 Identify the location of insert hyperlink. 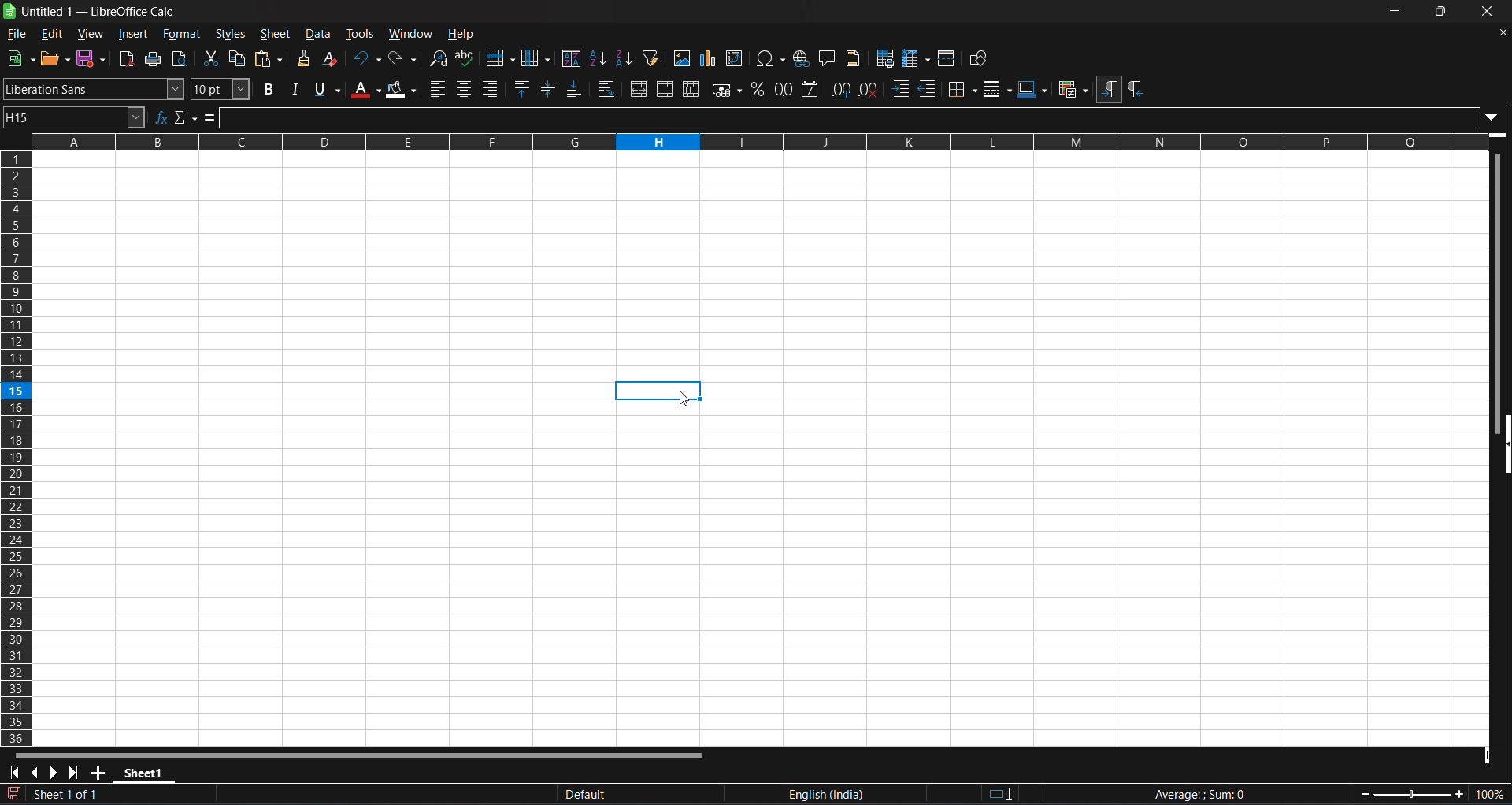
(800, 58).